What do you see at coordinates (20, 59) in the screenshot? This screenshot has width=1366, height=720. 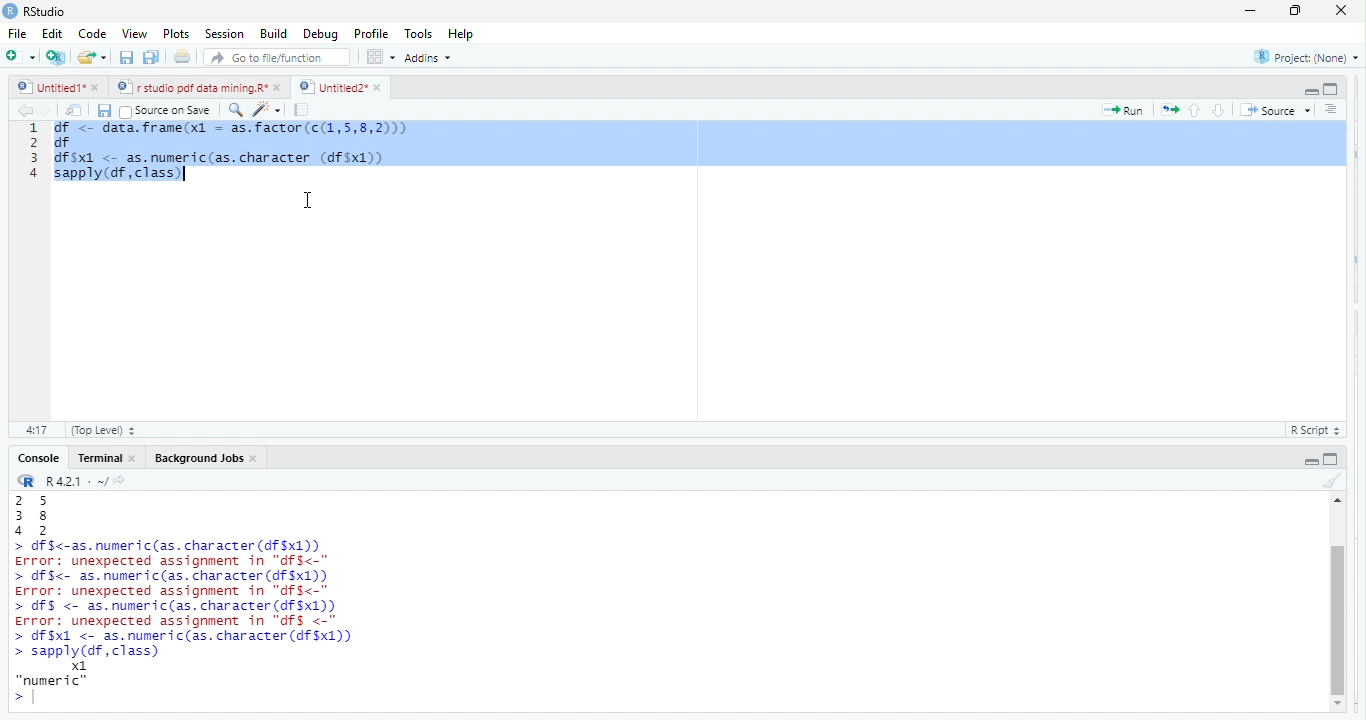 I see `new file` at bounding box center [20, 59].